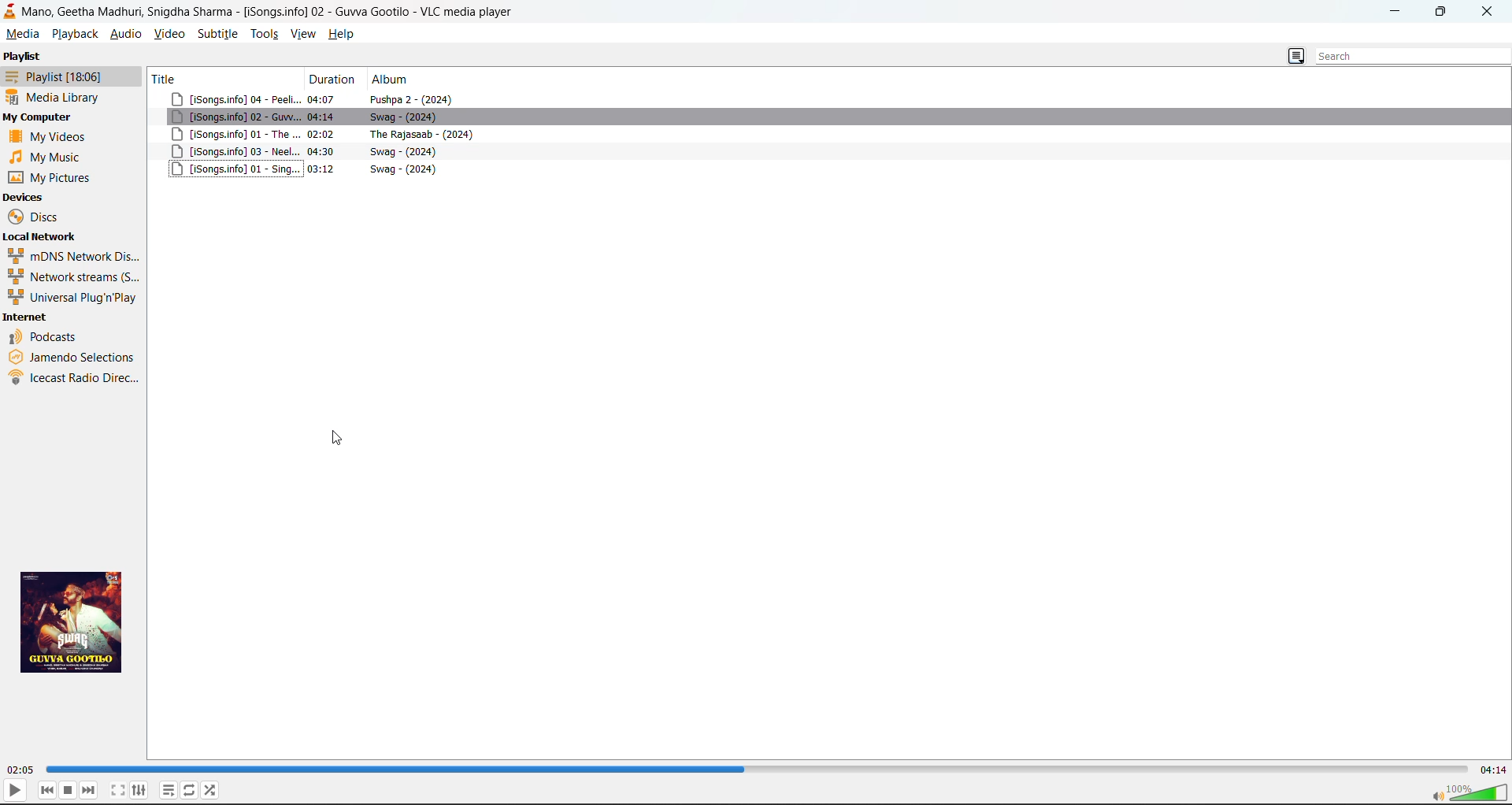 The height and width of the screenshot is (805, 1512). I want to click on playlist, so click(23, 56).